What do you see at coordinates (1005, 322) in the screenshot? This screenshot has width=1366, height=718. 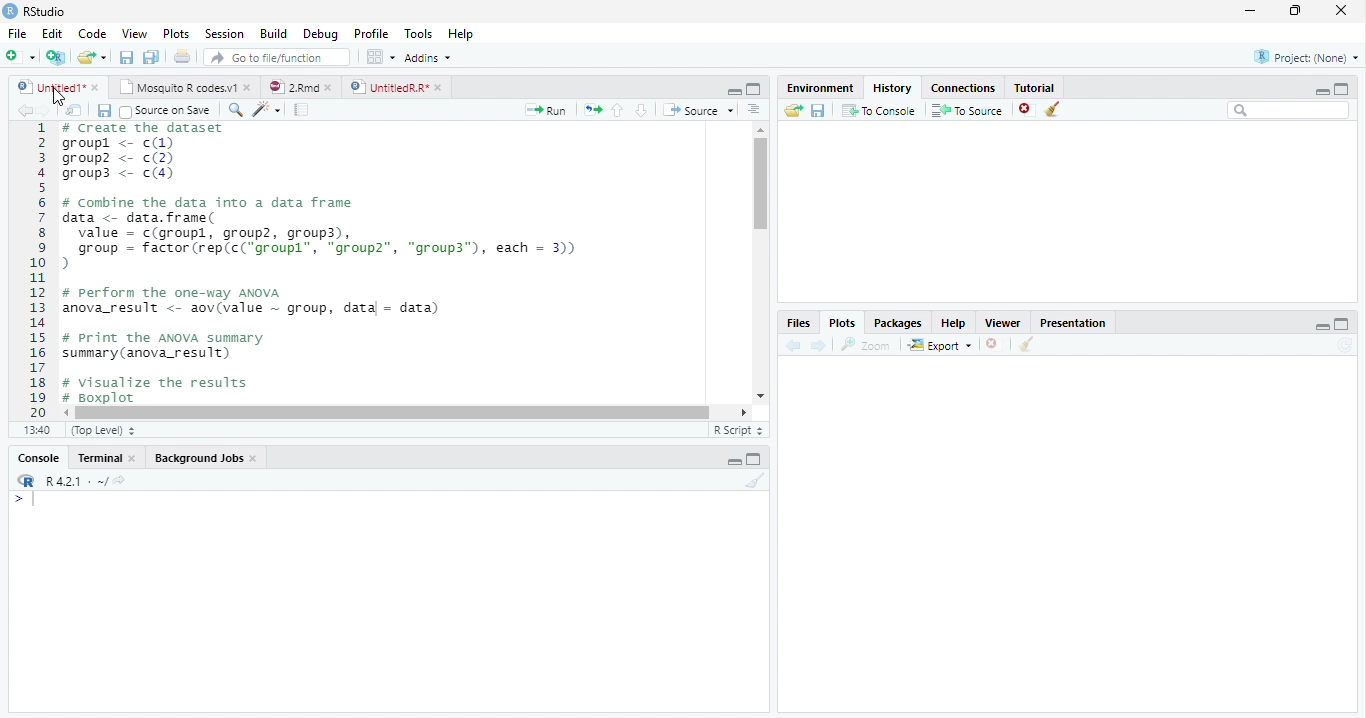 I see `Viewer` at bounding box center [1005, 322].